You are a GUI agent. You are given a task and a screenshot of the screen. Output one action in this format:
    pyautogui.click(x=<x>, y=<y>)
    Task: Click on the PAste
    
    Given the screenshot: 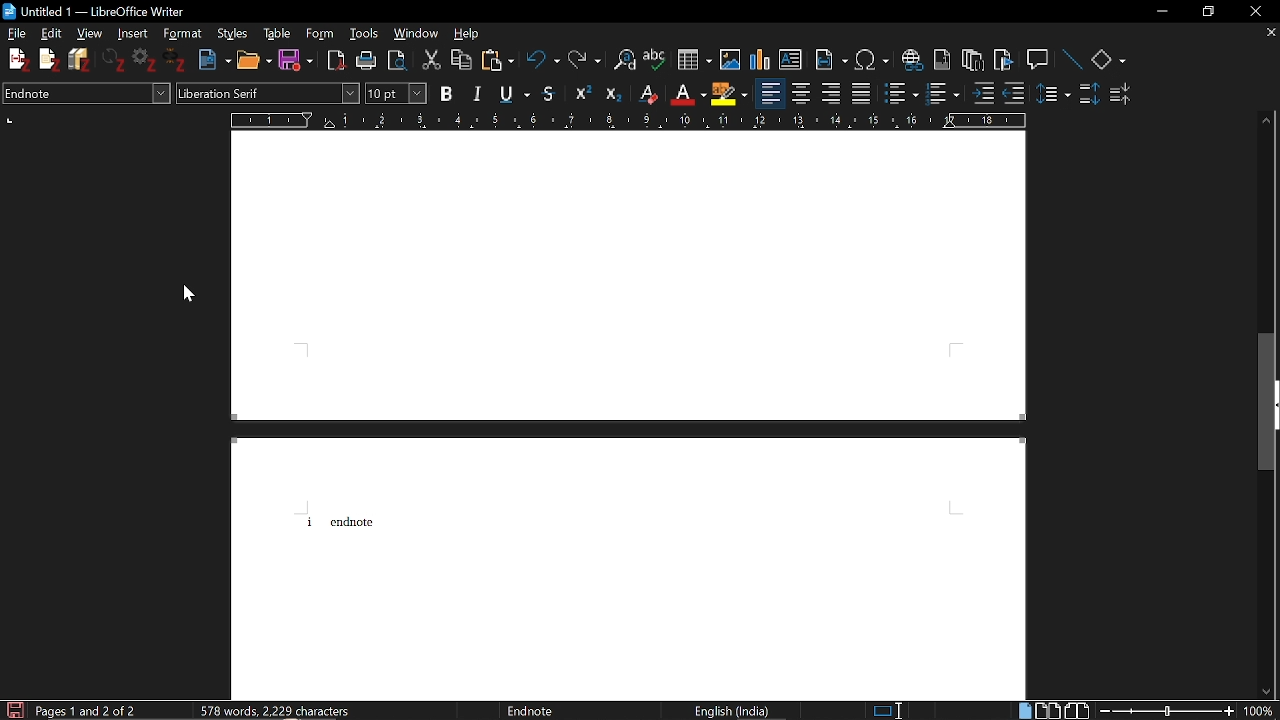 What is the action you would take?
    pyautogui.click(x=498, y=62)
    